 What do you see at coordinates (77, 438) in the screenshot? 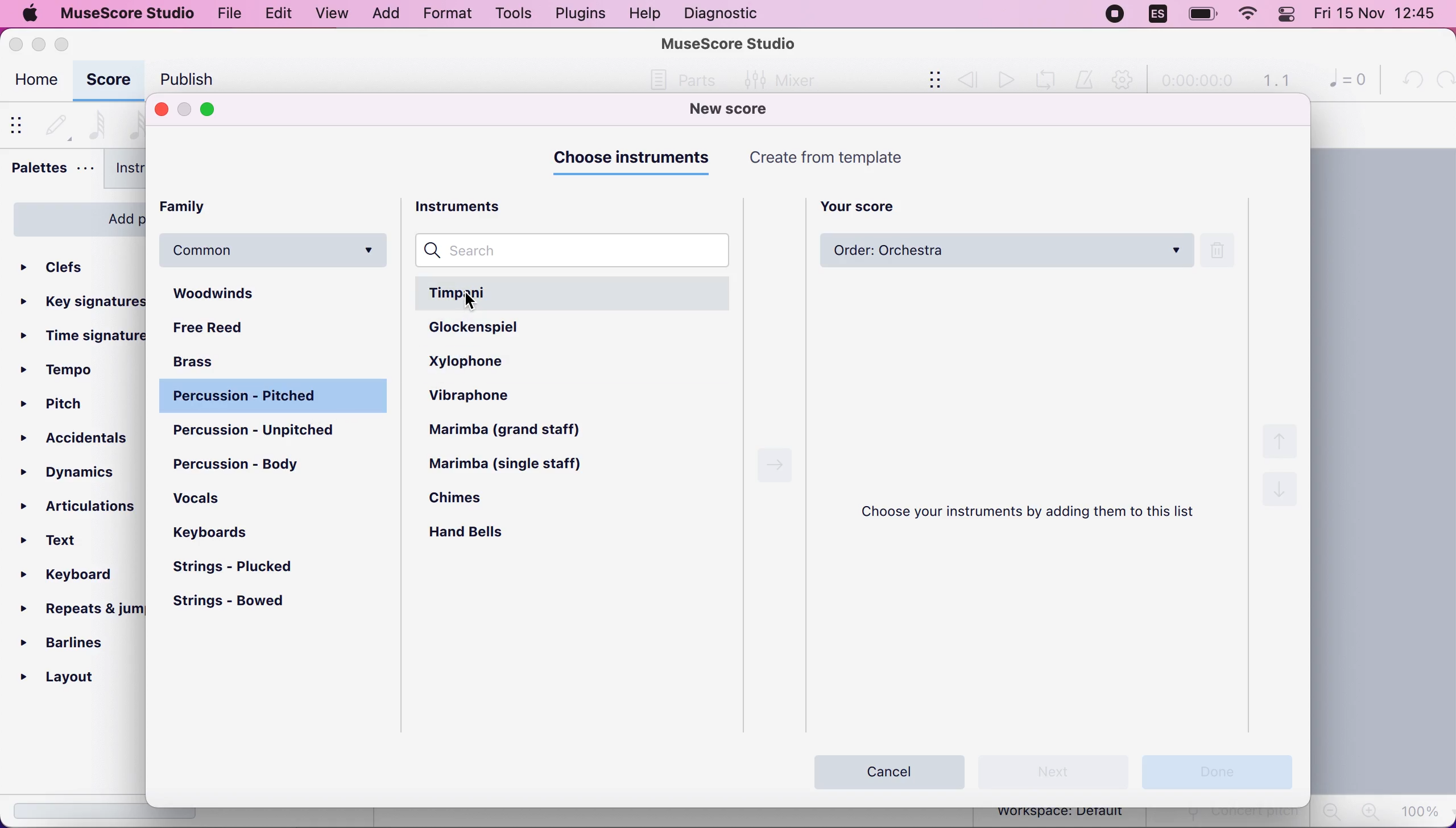
I see `accidentals` at bounding box center [77, 438].